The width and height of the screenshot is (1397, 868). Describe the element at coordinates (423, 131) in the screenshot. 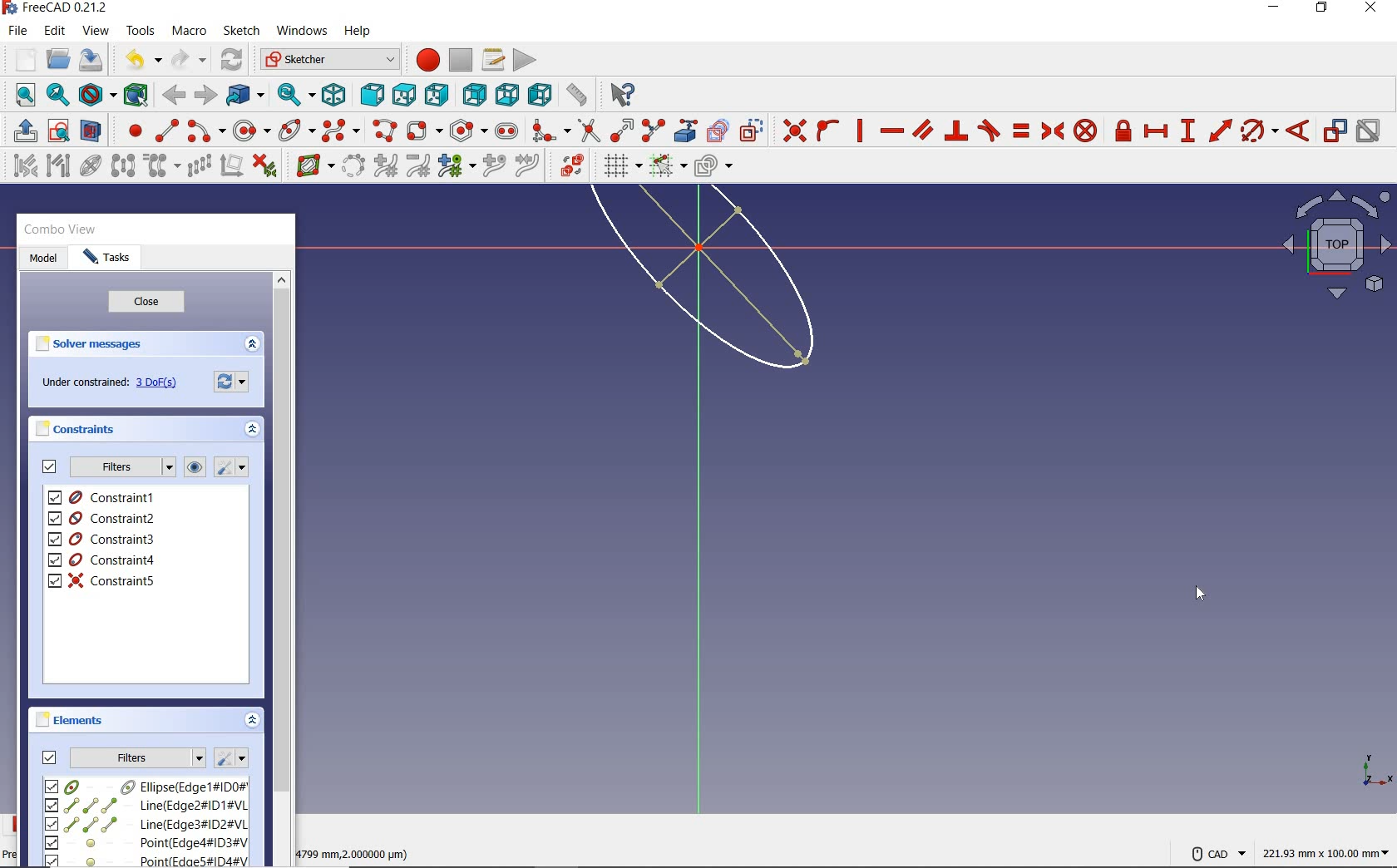

I see `create rectangle` at that location.